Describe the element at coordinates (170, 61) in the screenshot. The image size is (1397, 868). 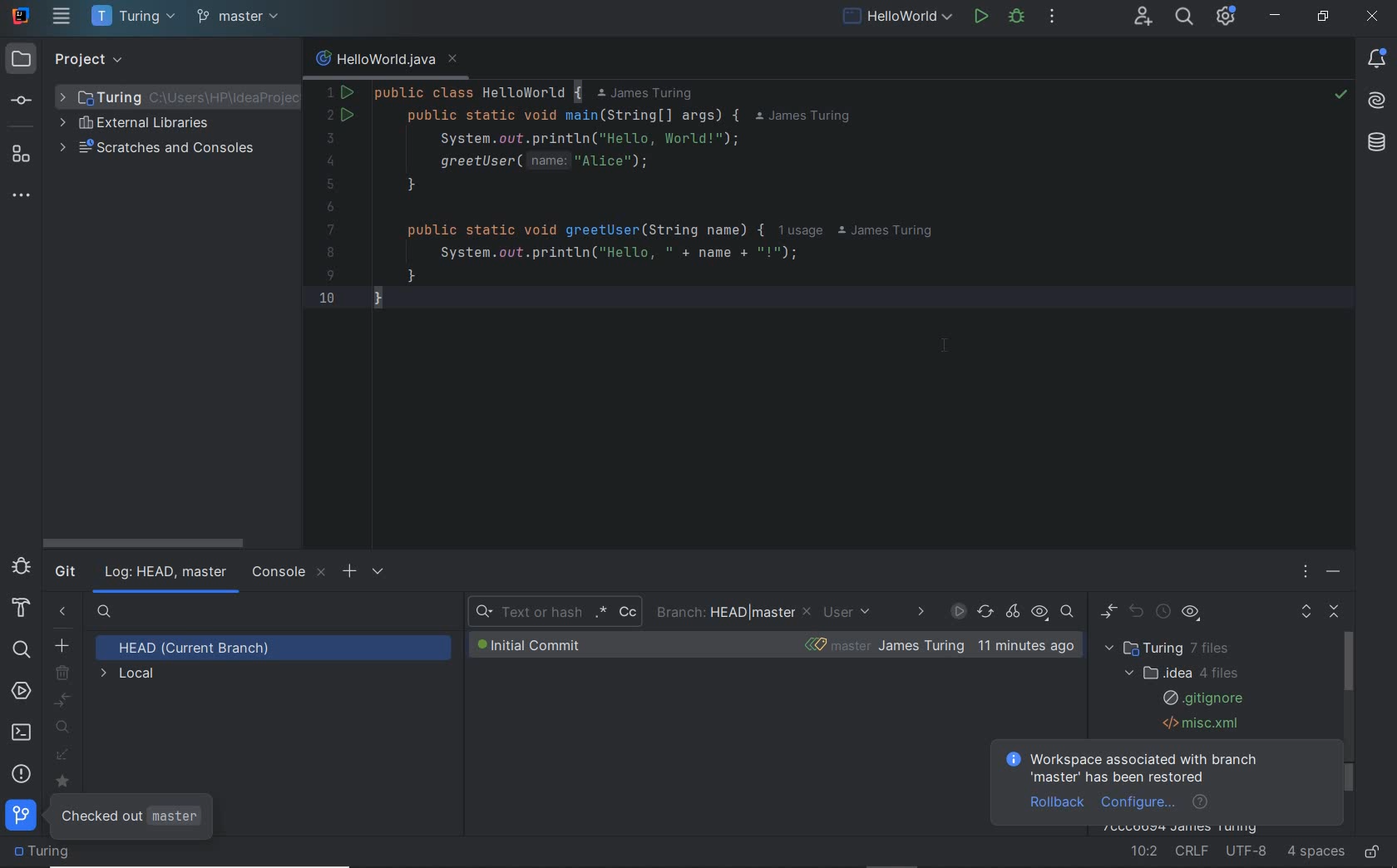
I see `select opened file` at that location.